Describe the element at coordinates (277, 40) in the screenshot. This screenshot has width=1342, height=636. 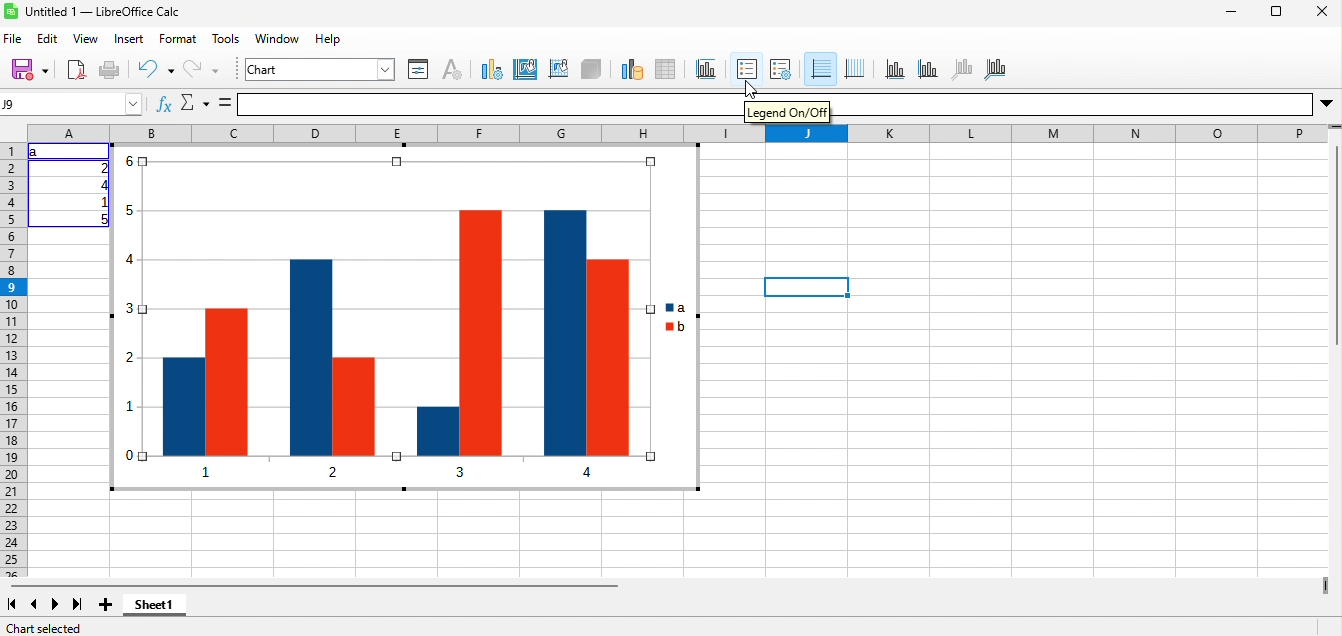
I see `window` at that location.